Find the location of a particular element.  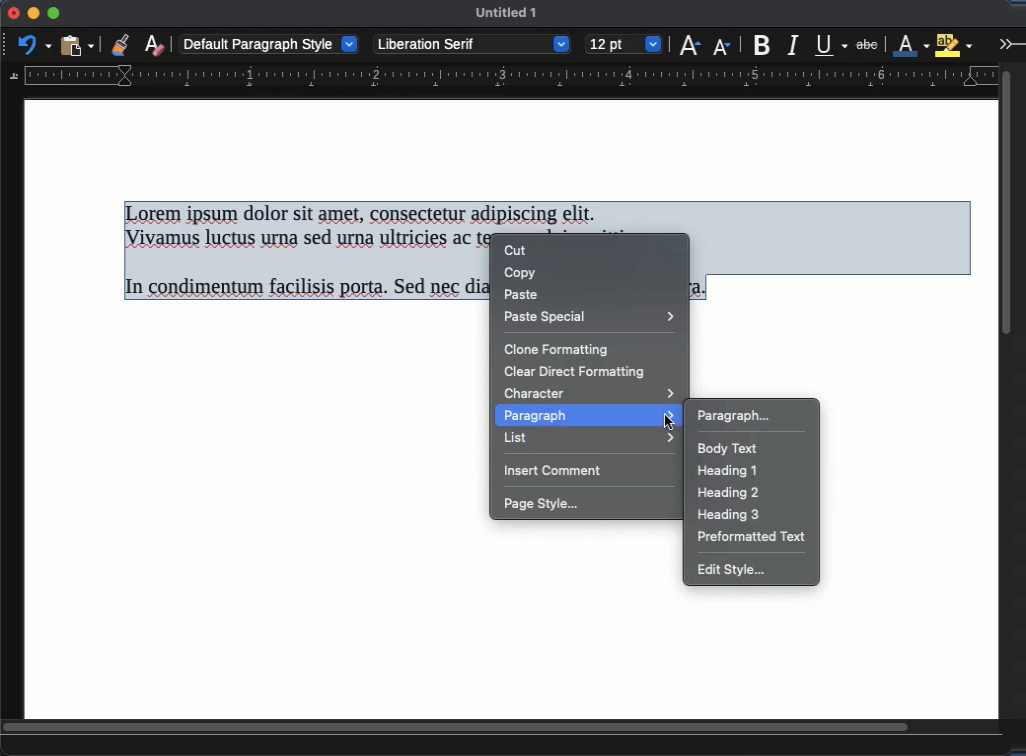

decrease size is located at coordinates (723, 45).